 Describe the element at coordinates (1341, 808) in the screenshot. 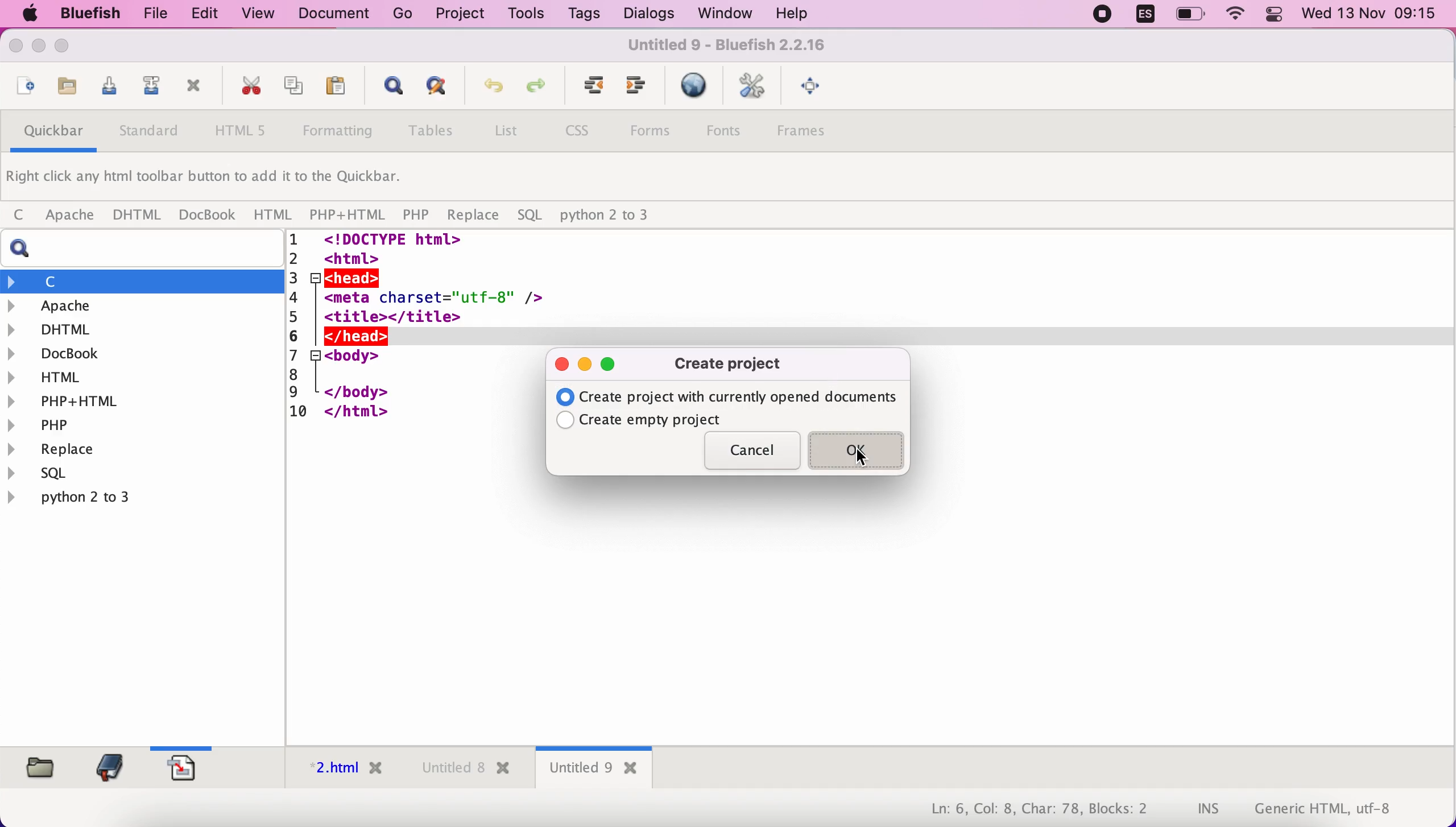

I see `generic html` at that location.